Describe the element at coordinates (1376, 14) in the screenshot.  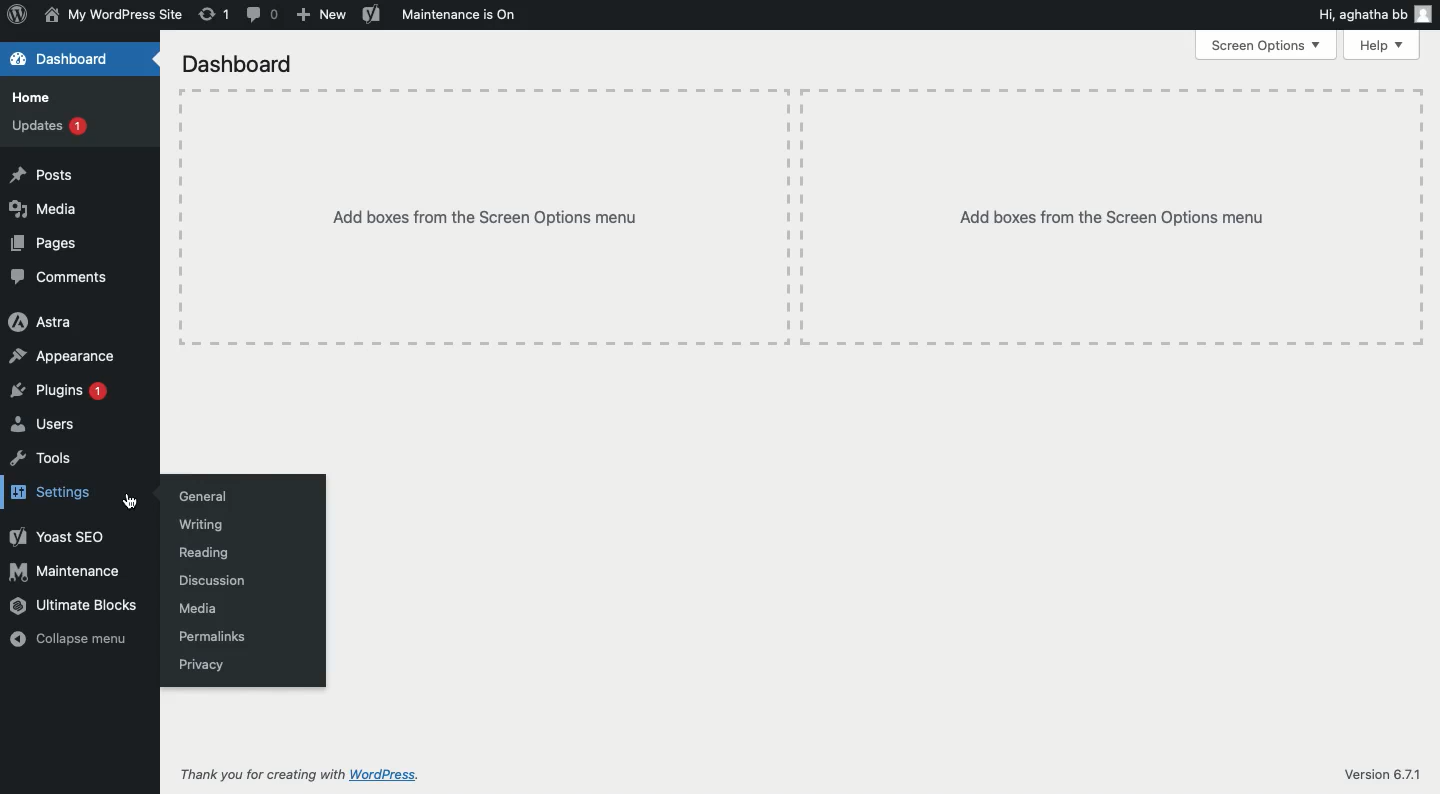
I see `Hi user` at that location.